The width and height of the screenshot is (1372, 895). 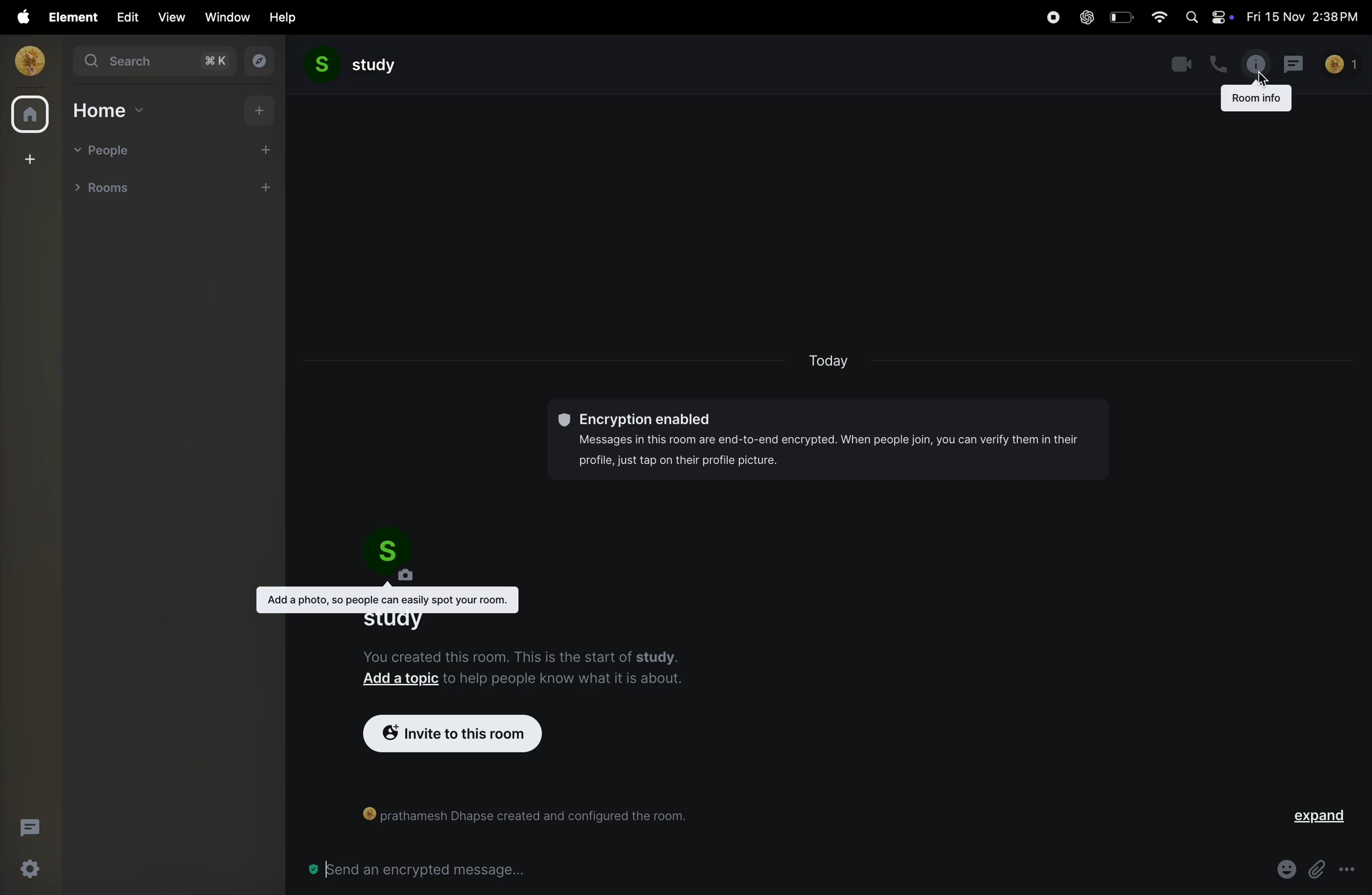 What do you see at coordinates (260, 60) in the screenshot?
I see `explore` at bounding box center [260, 60].